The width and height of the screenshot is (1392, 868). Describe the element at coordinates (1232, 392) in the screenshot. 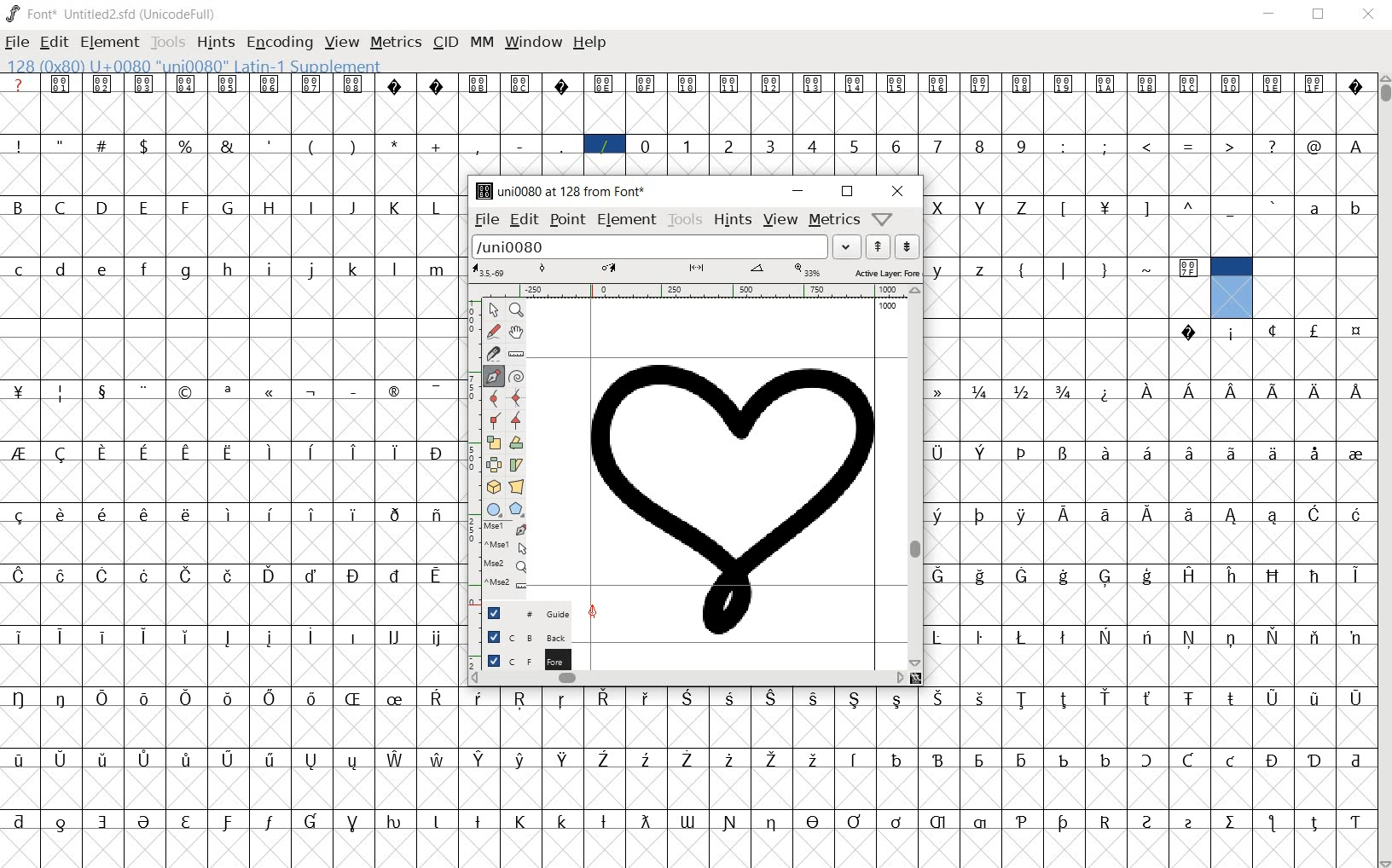

I see `glyph` at that location.